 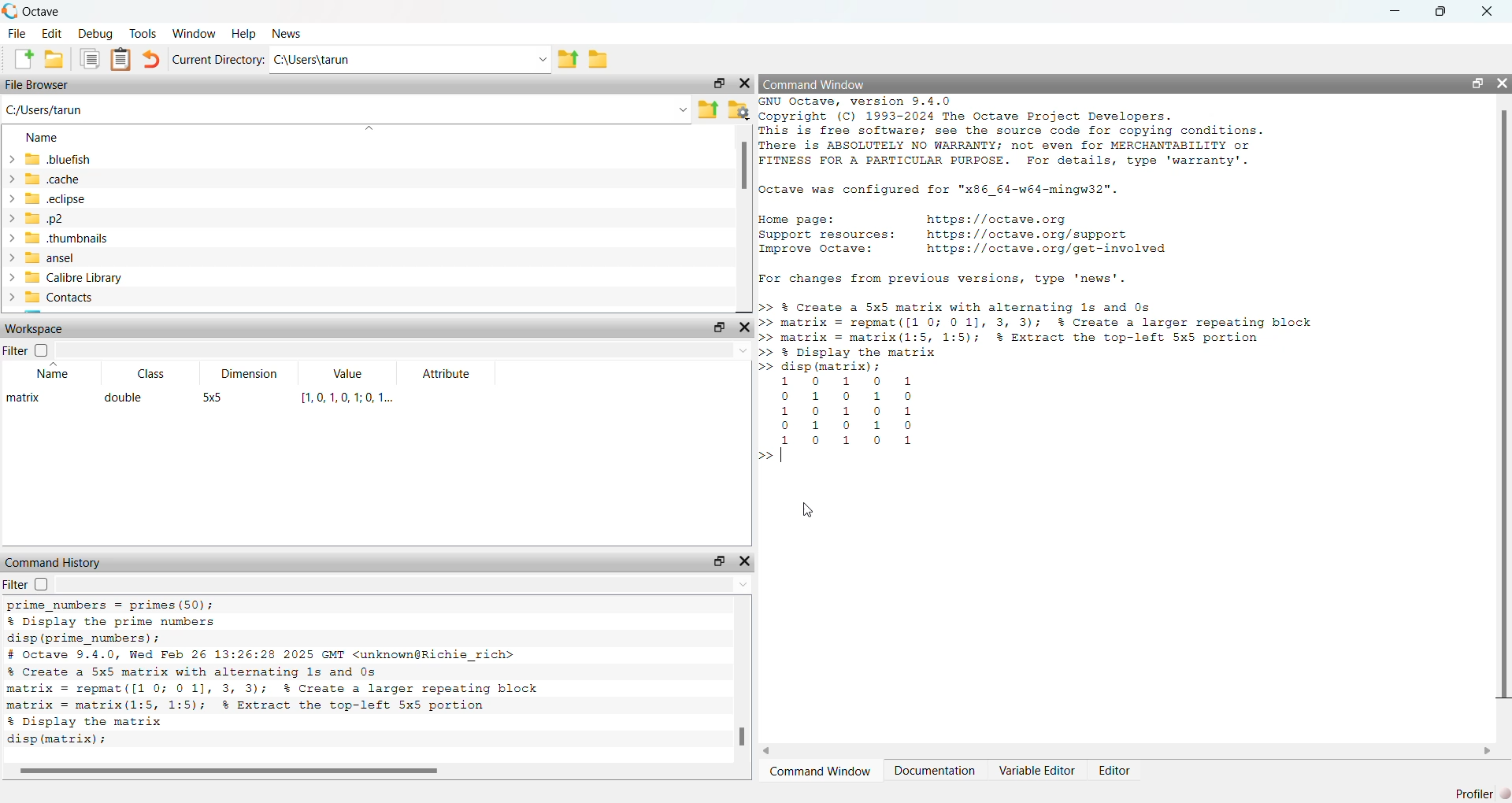 I want to click on open in separate window, so click(x=1479, y=84).